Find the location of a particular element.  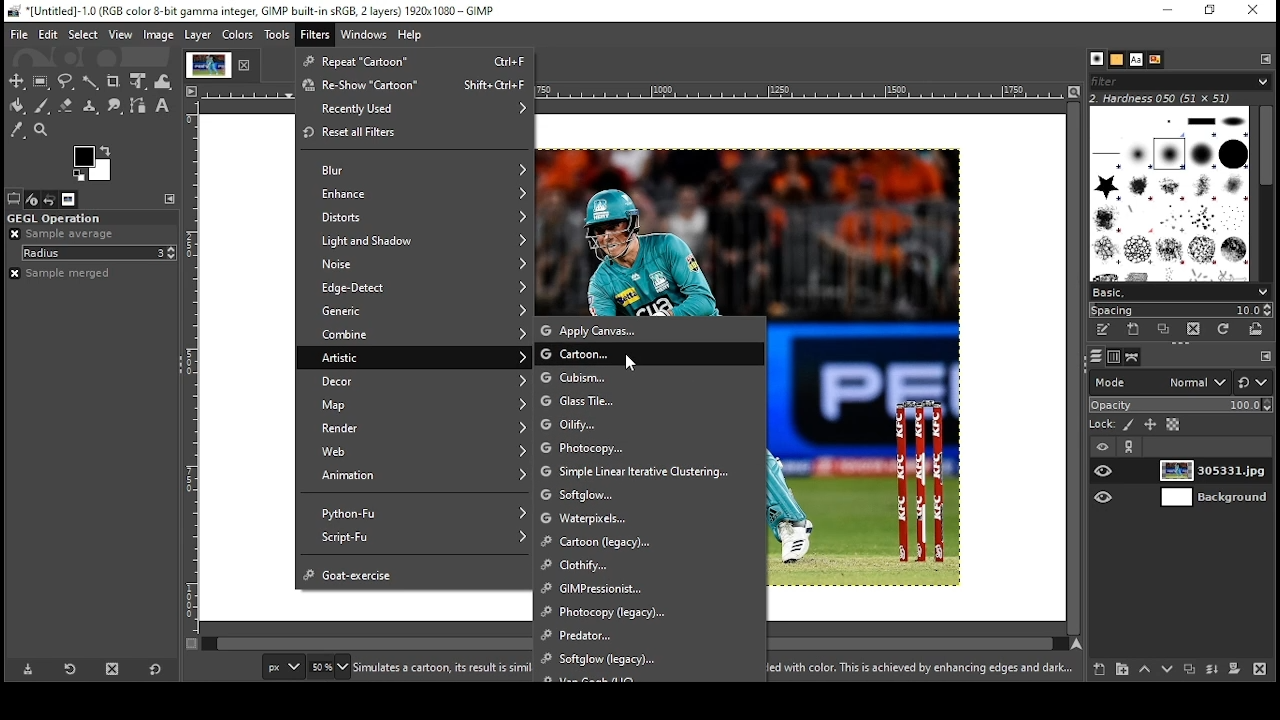

layer on/off is located at coordinates (1106, 498).